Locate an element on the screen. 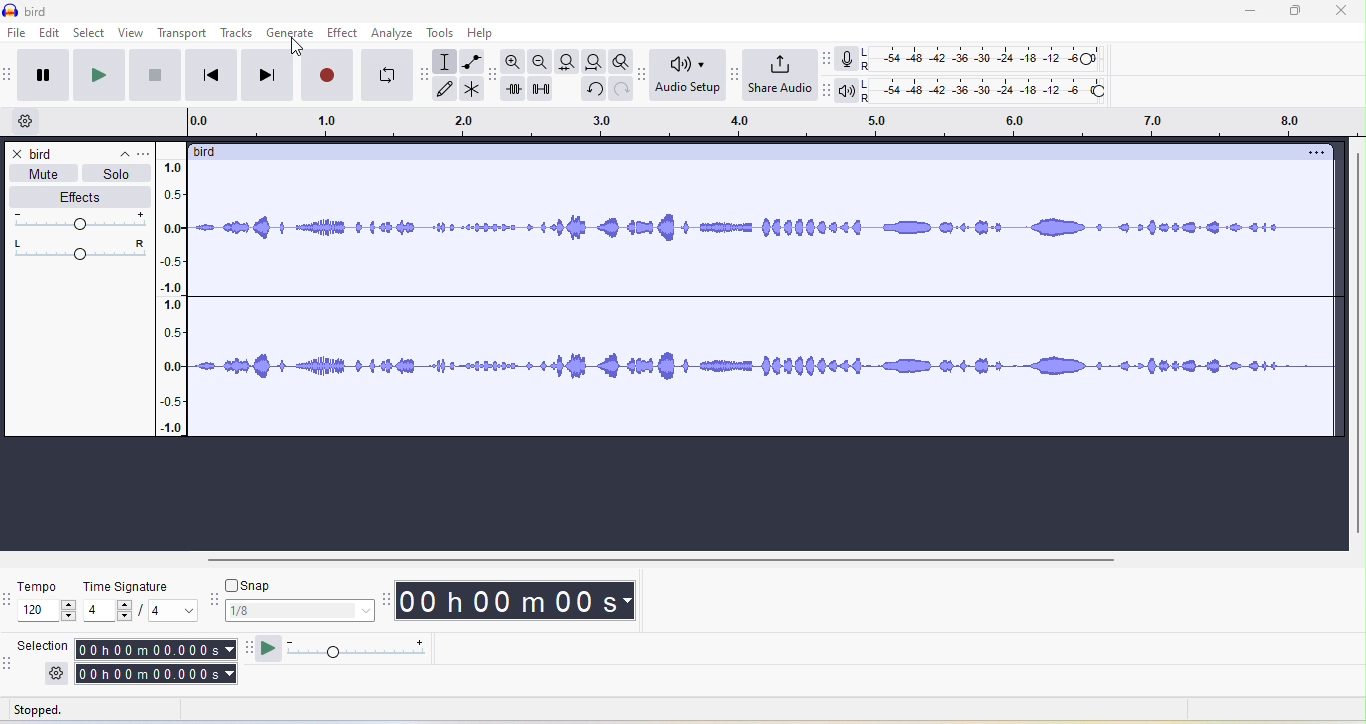 This screenshot has height=724, width=1366. bird is located at coordinates (42, 153).